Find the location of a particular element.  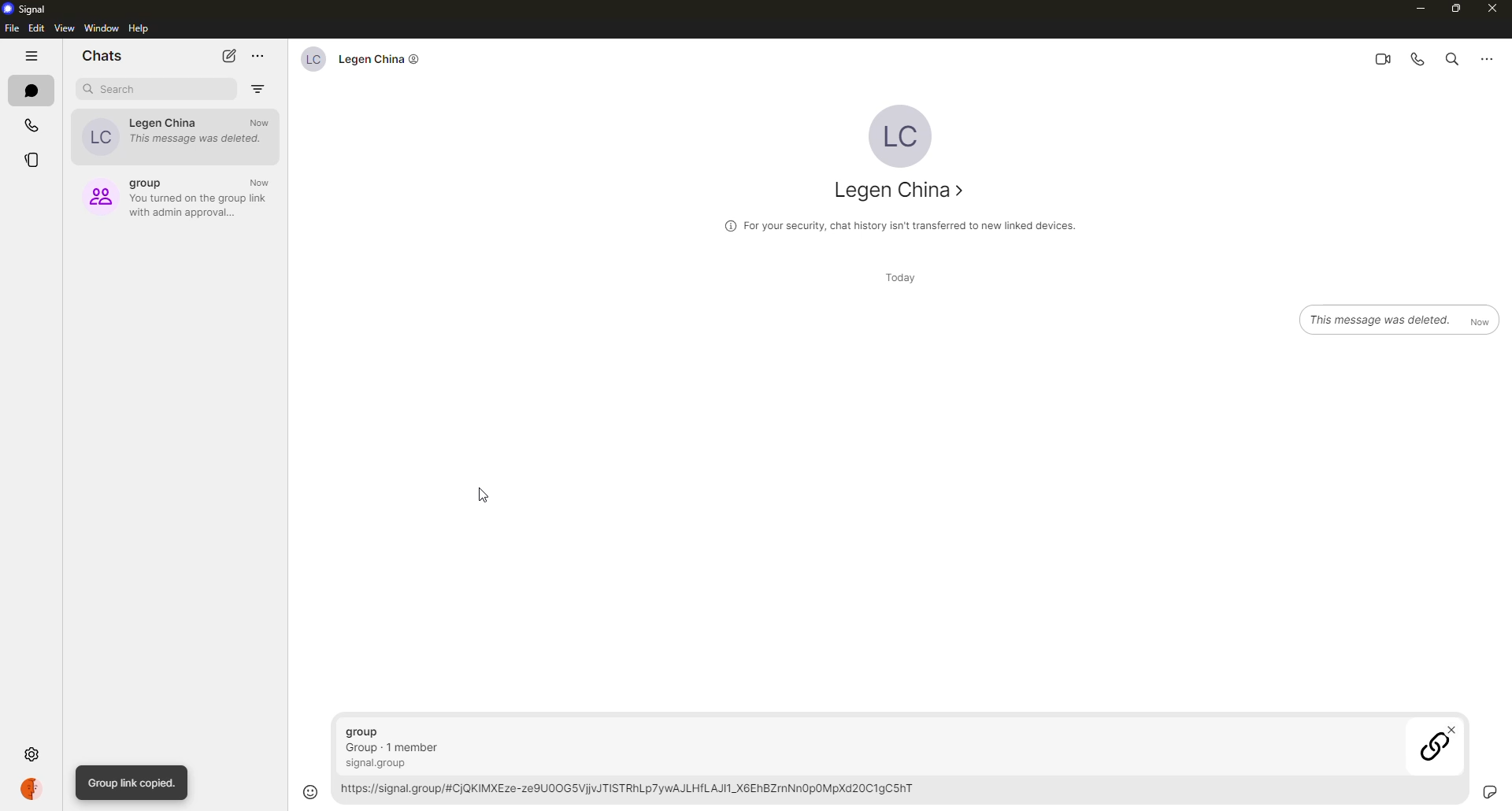

profile is located at coordinates (34, 788).